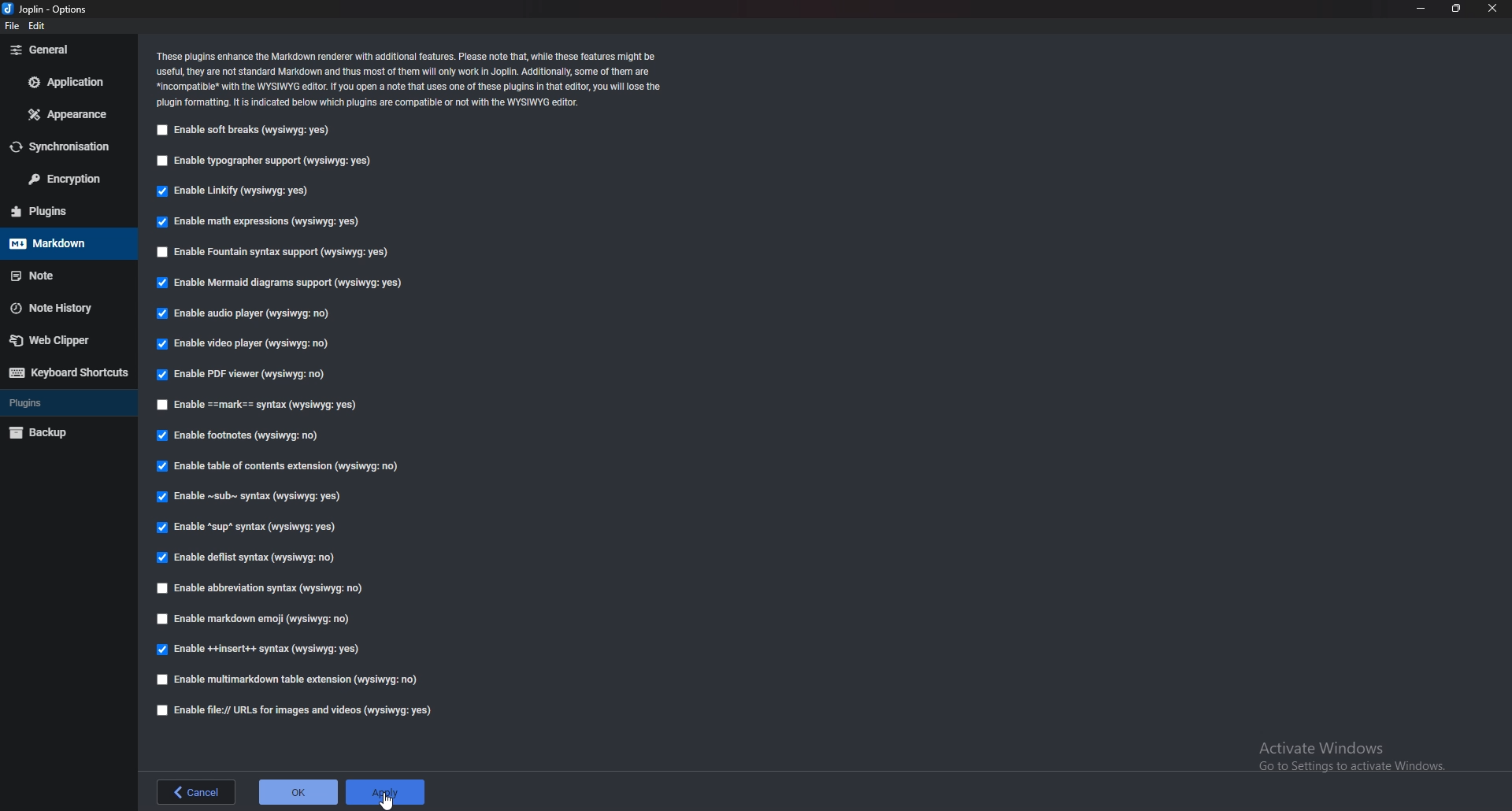 This screenshot has width=1512, height=811. Describe the element at coordinates (287, 680) in the screenshot. I see `enable multimarkdown table` at that location.